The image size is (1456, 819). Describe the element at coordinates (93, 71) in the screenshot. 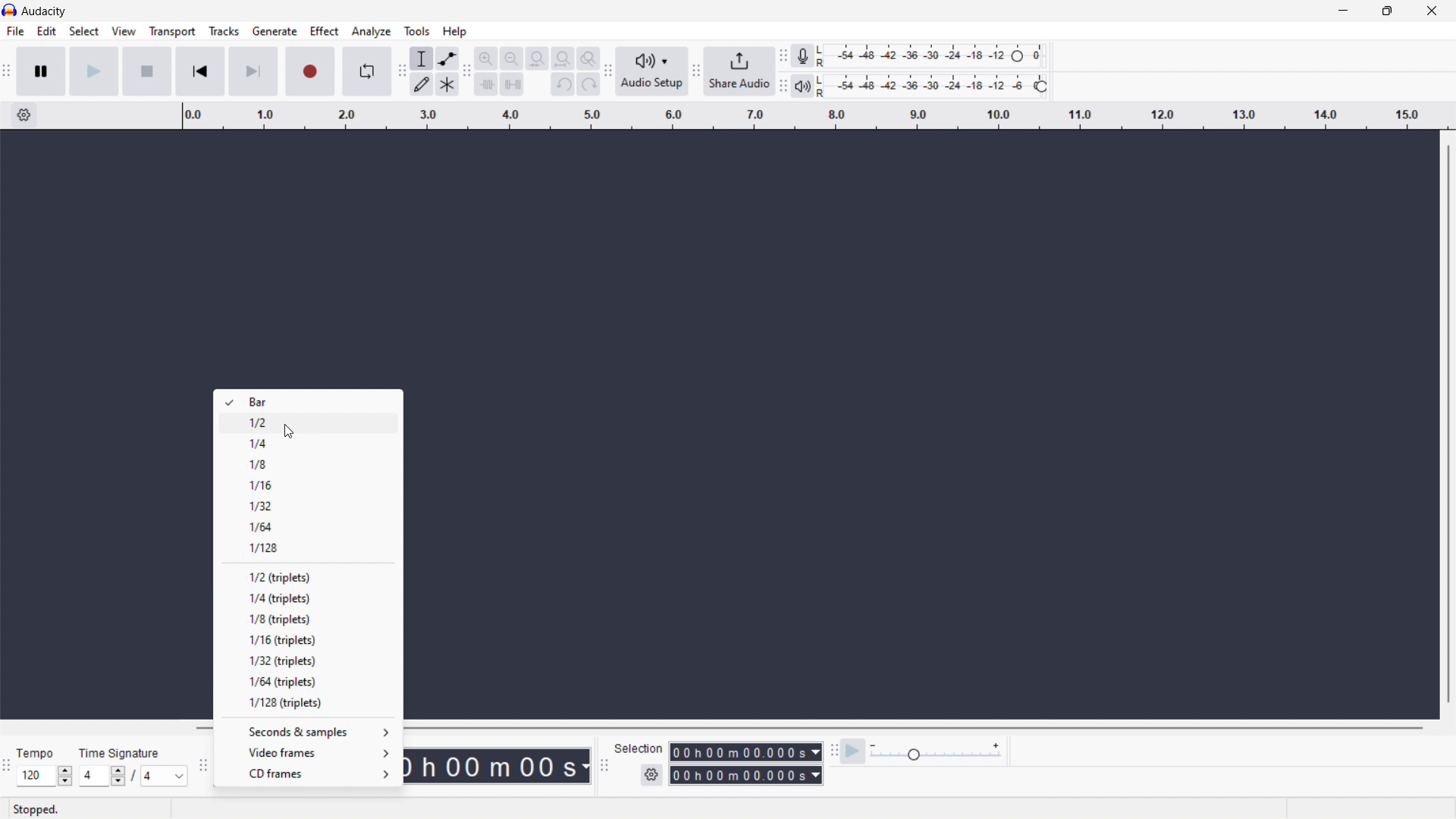

I see `play` at that location.